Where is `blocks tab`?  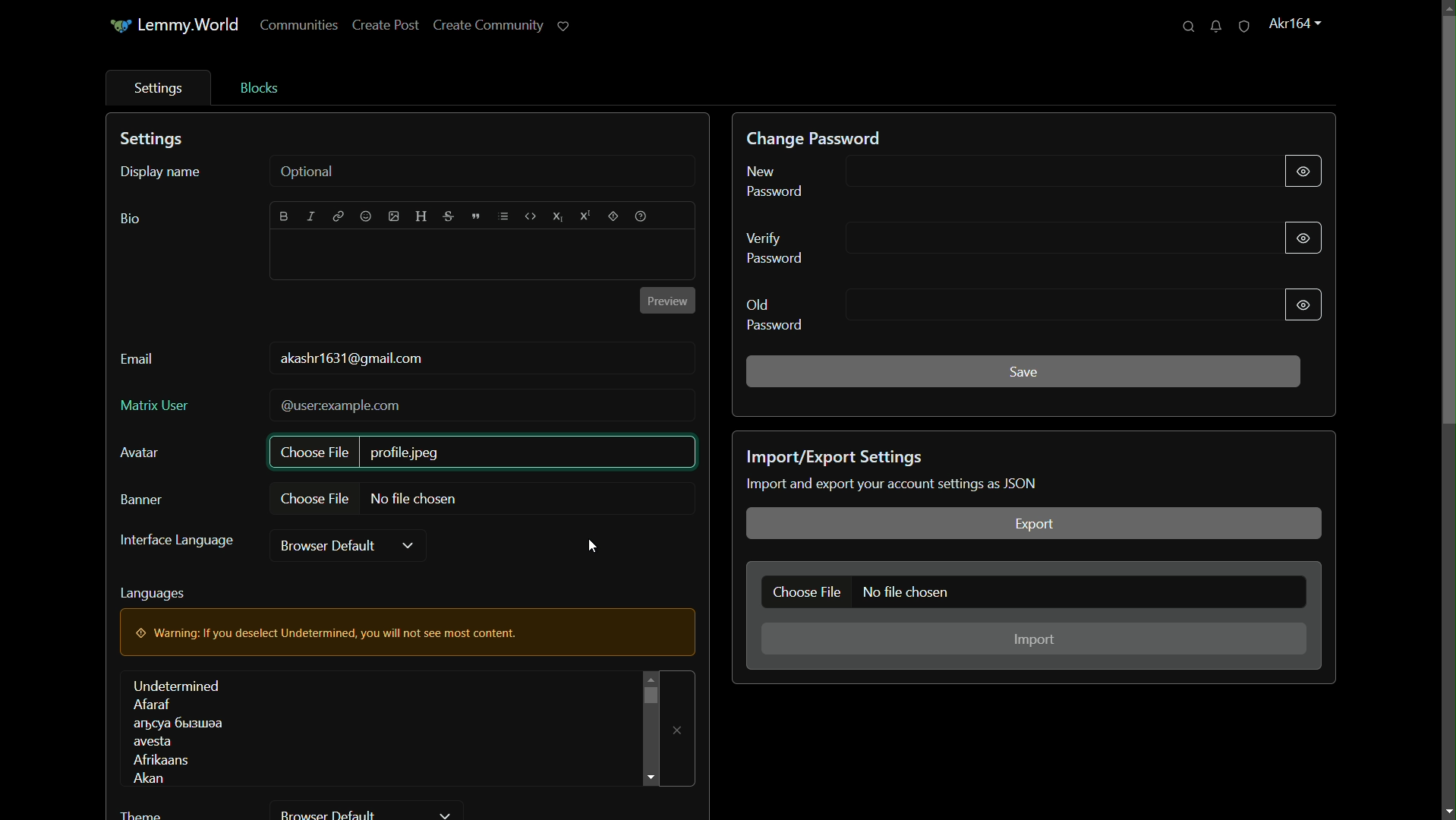
blocks tab is located at coordinates (257, 87).